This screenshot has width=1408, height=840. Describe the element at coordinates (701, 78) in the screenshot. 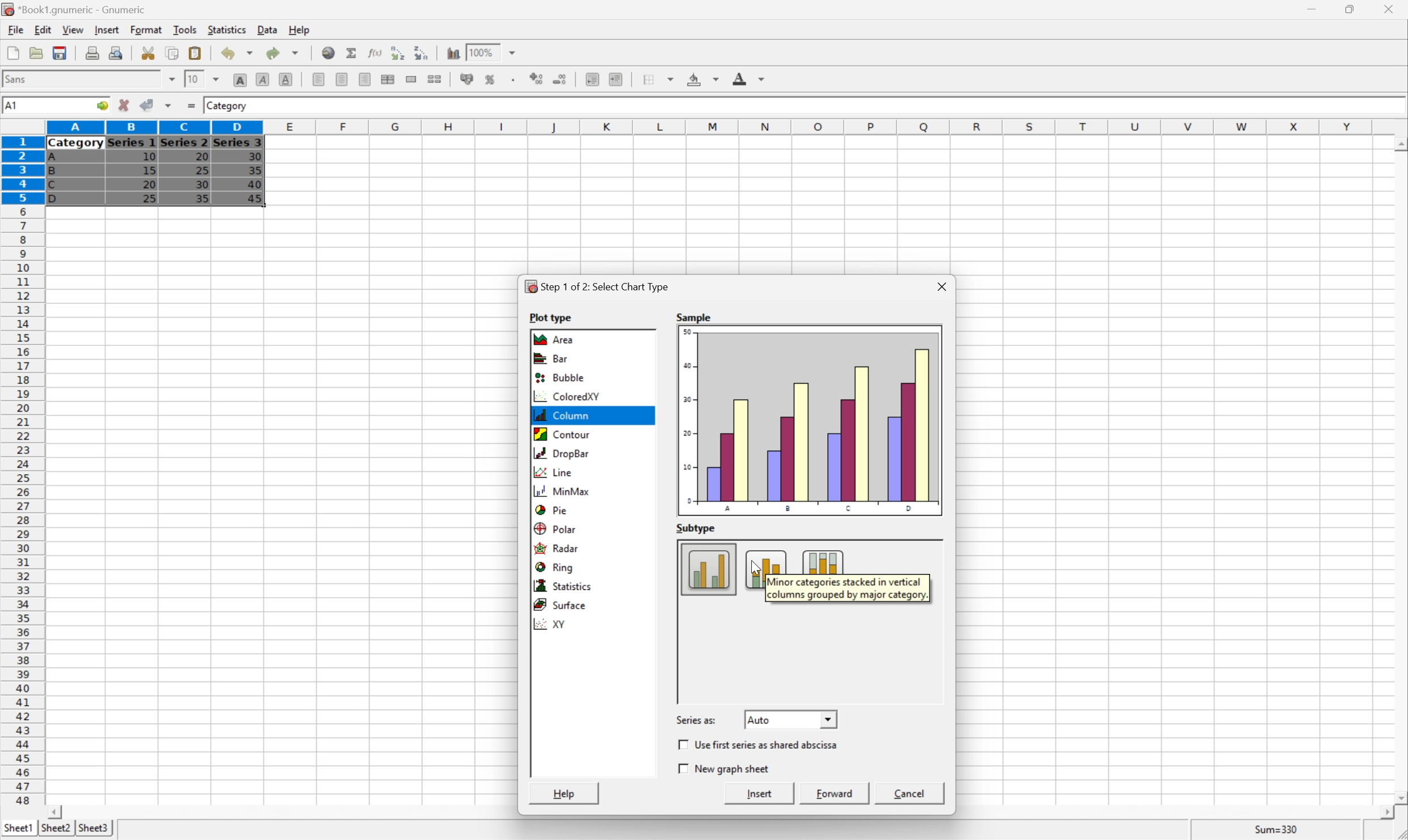

I see `Background` at that location.